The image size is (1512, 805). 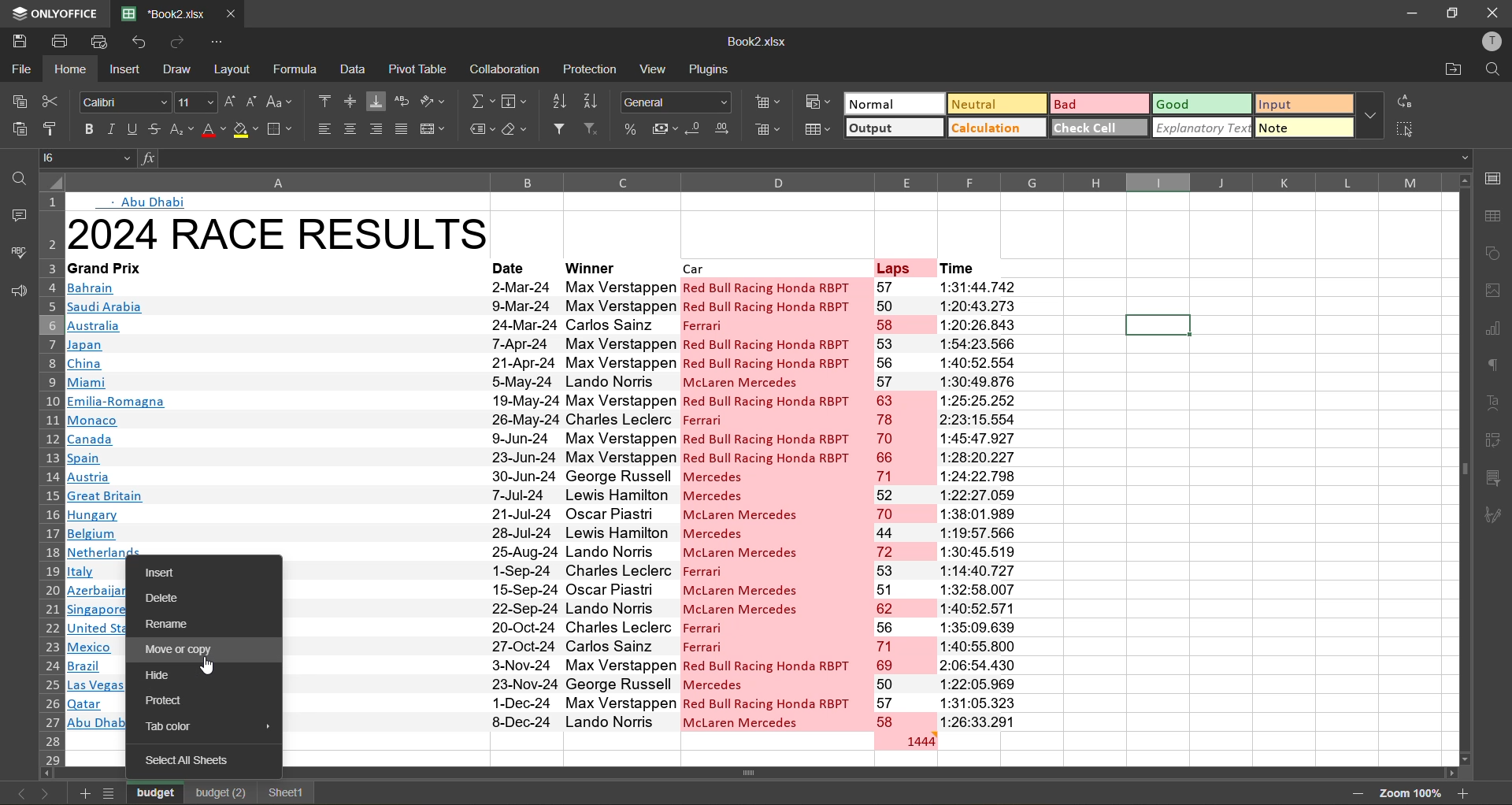 I want to click on select all sheets, so click(x=184, y=760).